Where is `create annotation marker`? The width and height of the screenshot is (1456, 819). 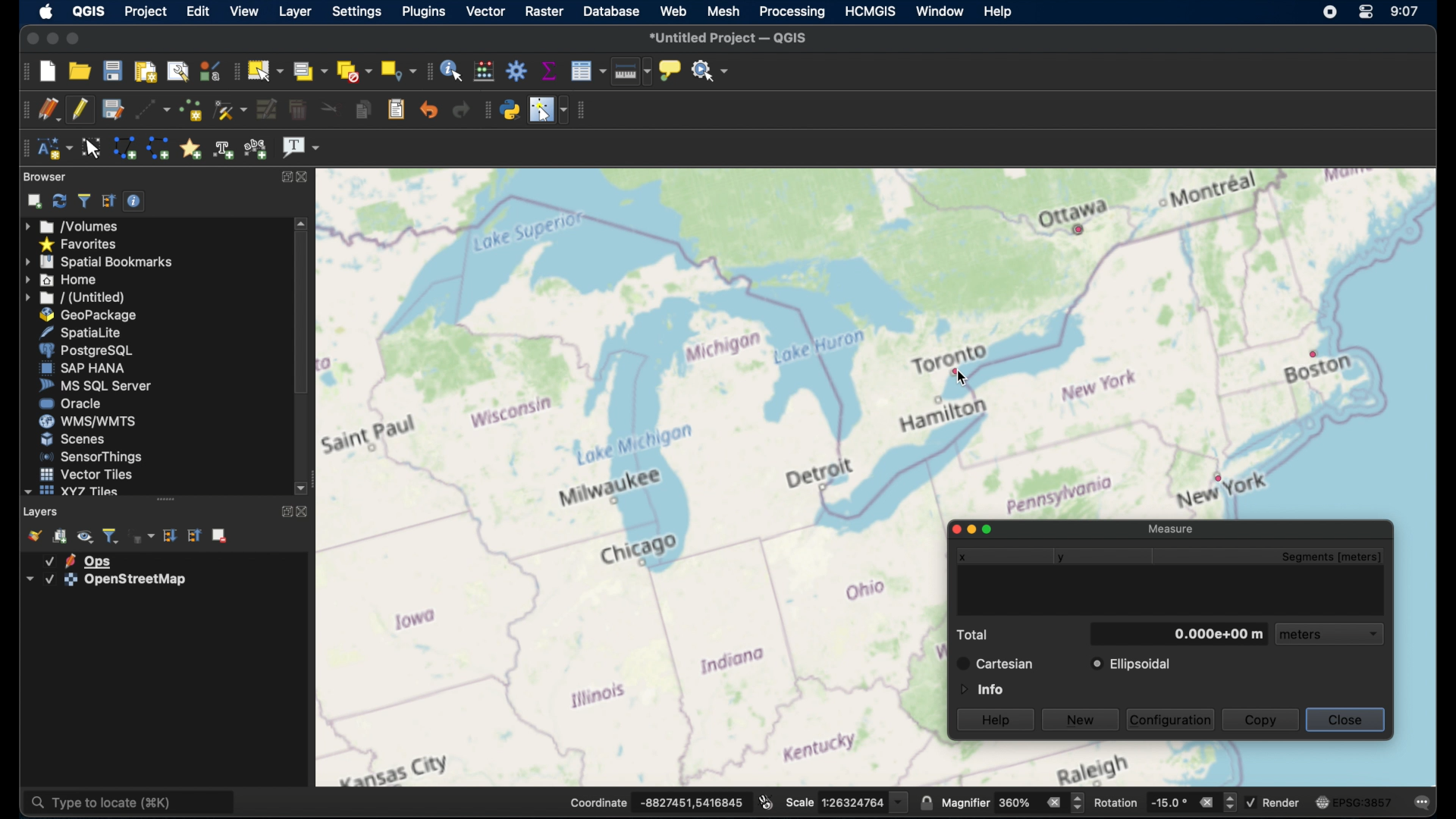
create annotation marker is located at coordinates (190, 147).